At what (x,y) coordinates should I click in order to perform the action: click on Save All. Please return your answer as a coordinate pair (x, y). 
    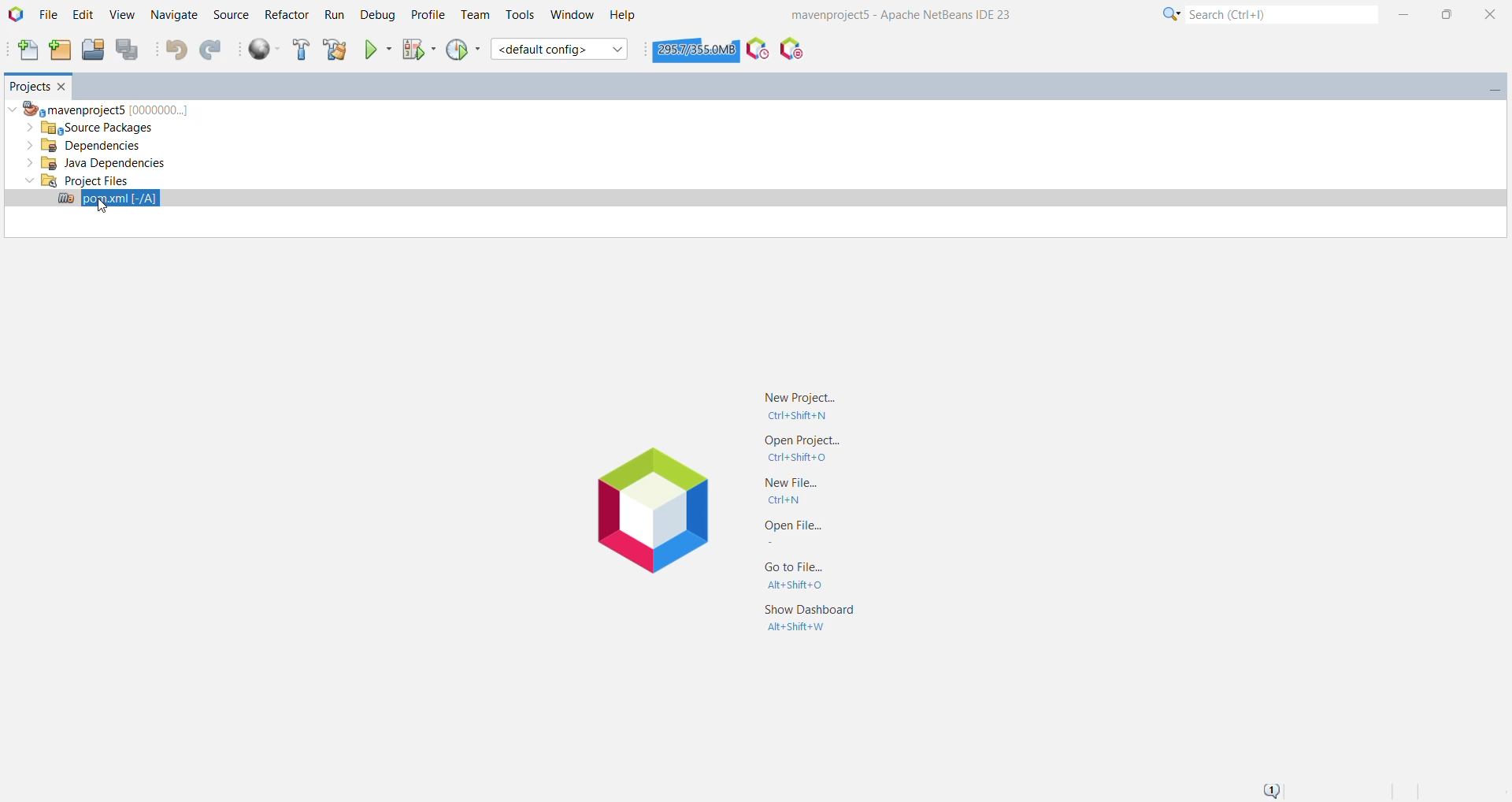
    Looking at the image, I should click on (130, 50).